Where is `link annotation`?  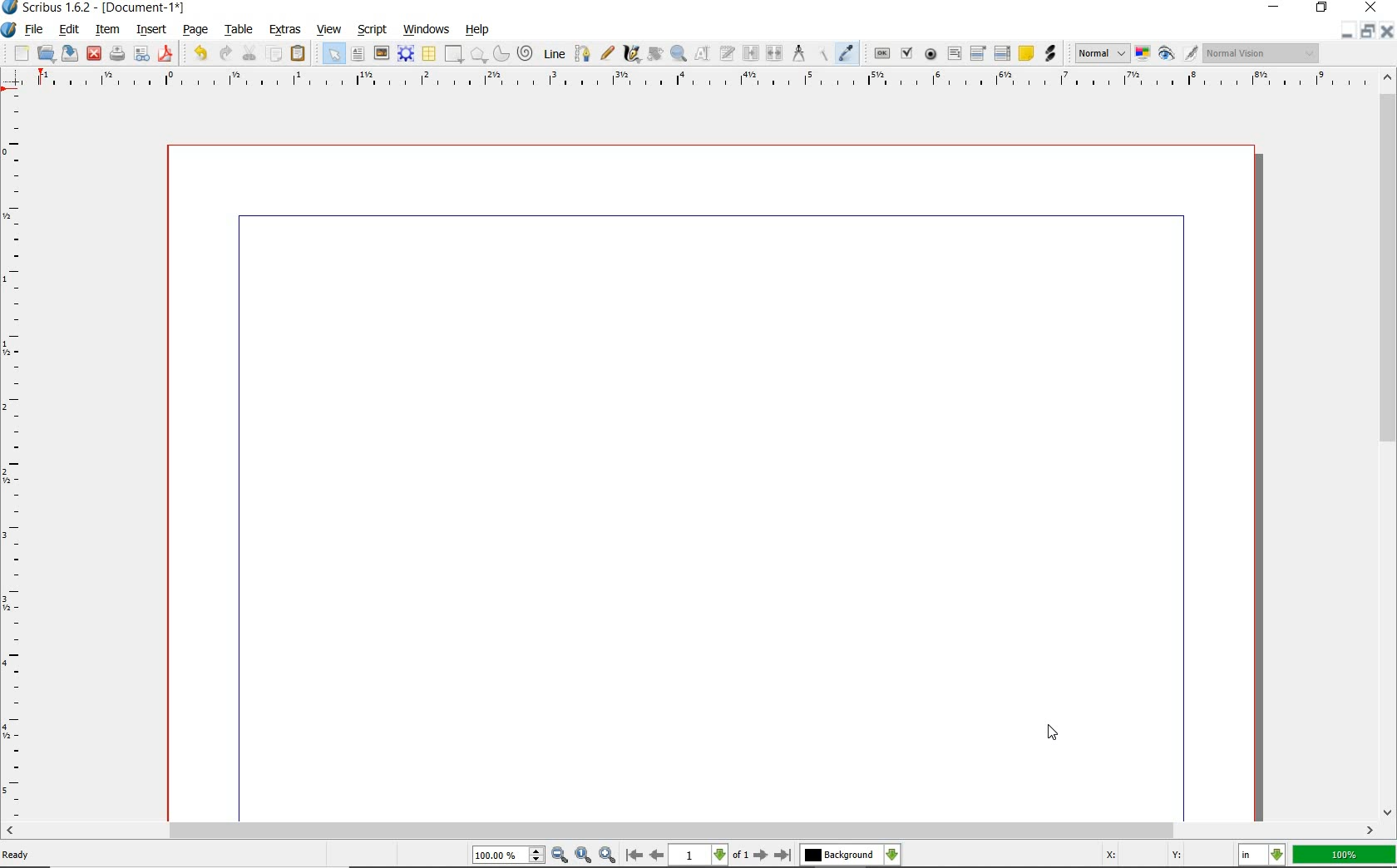 link annotation is located at coordinates (1050, 52).